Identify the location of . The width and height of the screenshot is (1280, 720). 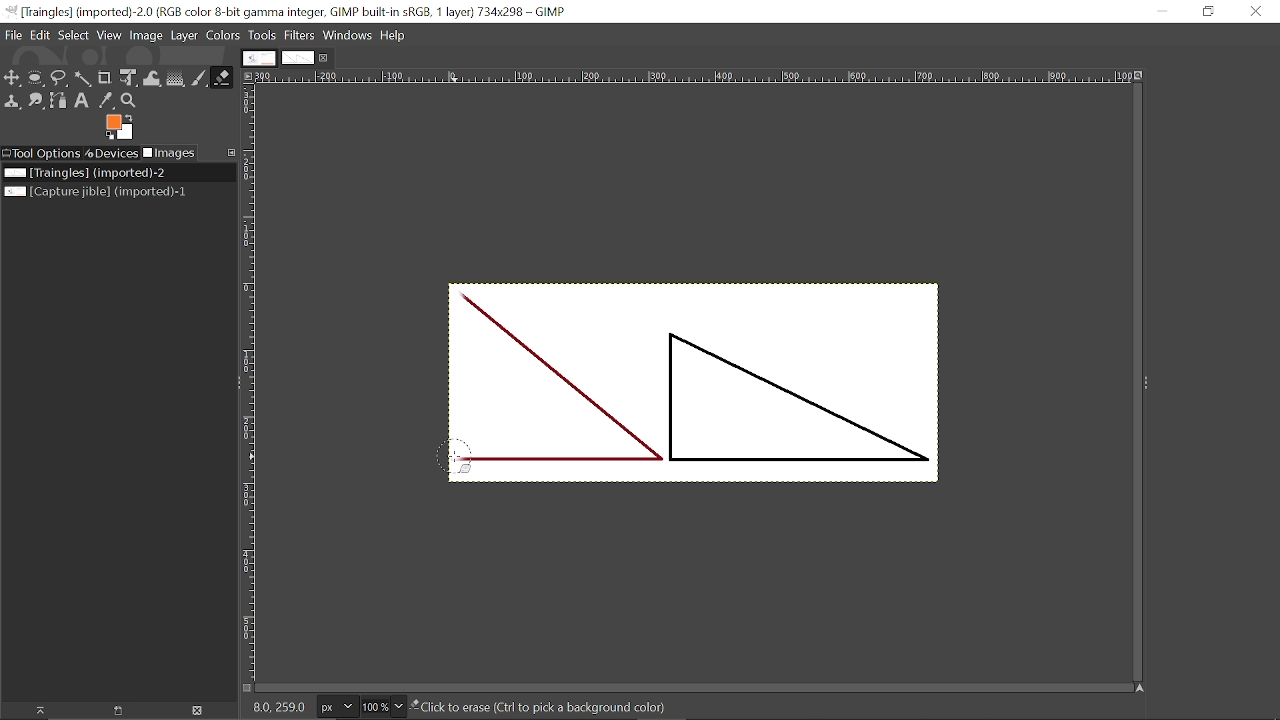
(261, 36).